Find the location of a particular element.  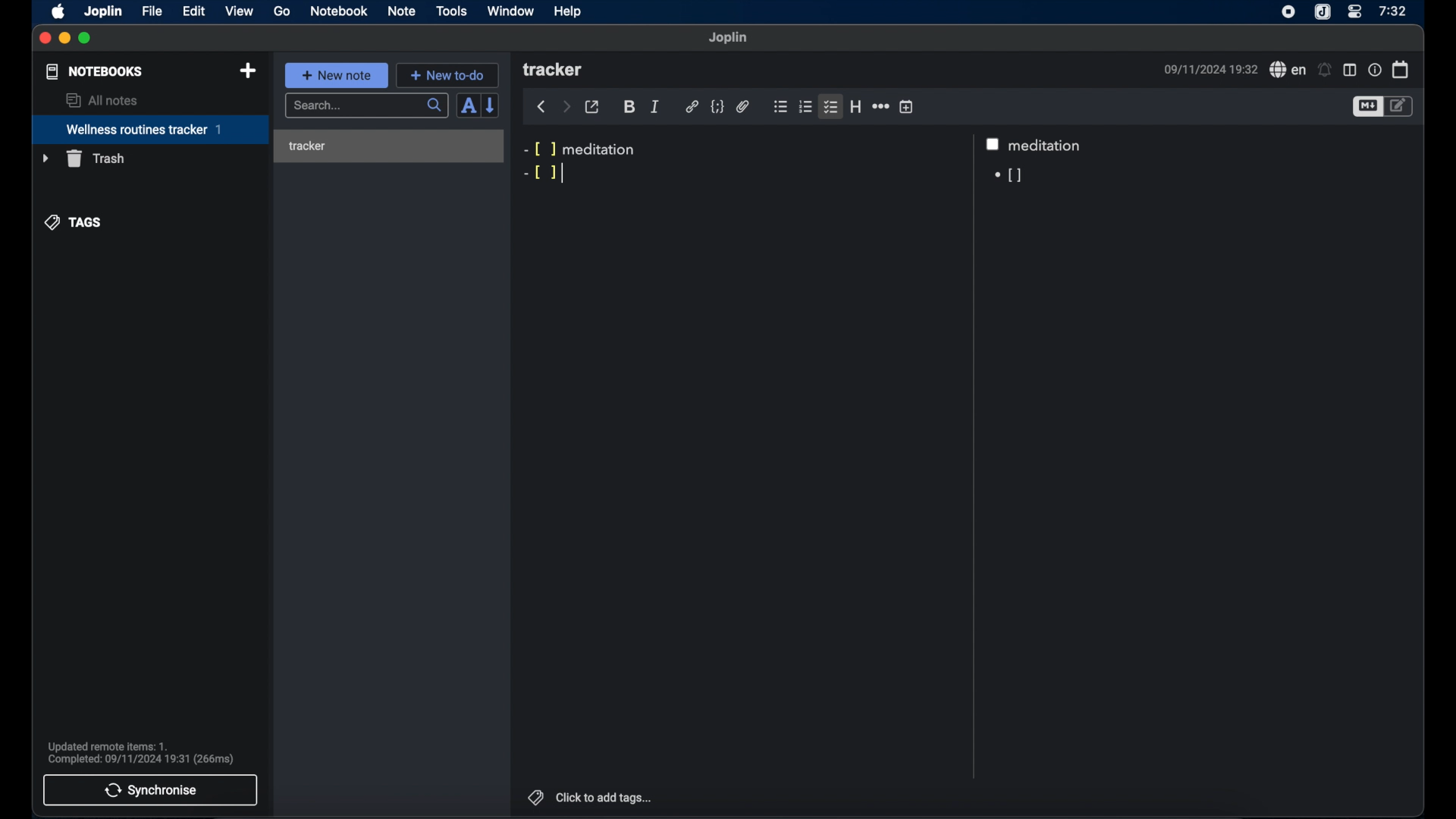

tracker is located at coordinates (392, 149).